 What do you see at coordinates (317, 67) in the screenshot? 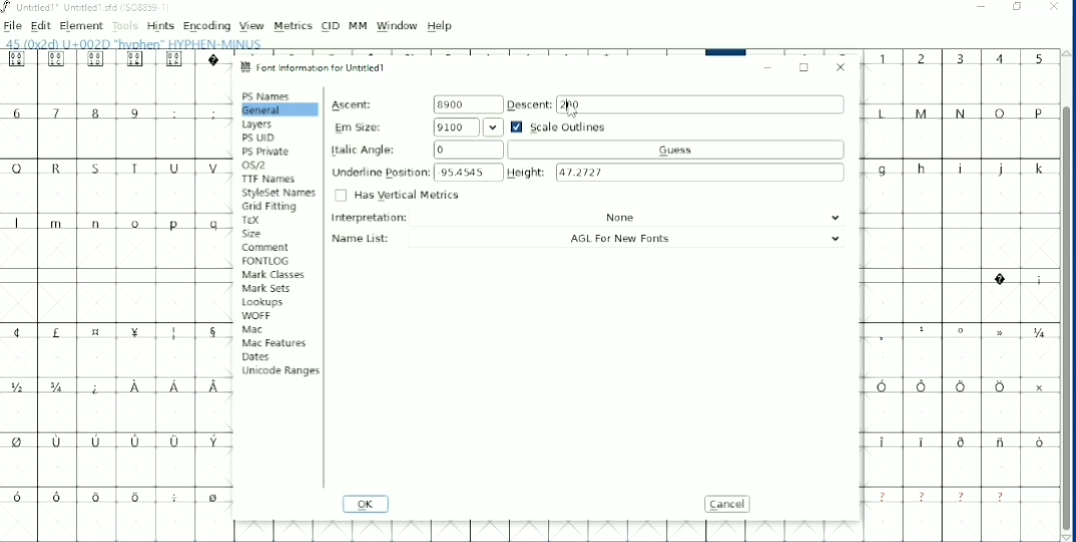
I see `Font information` at bounding box center [317, 67].